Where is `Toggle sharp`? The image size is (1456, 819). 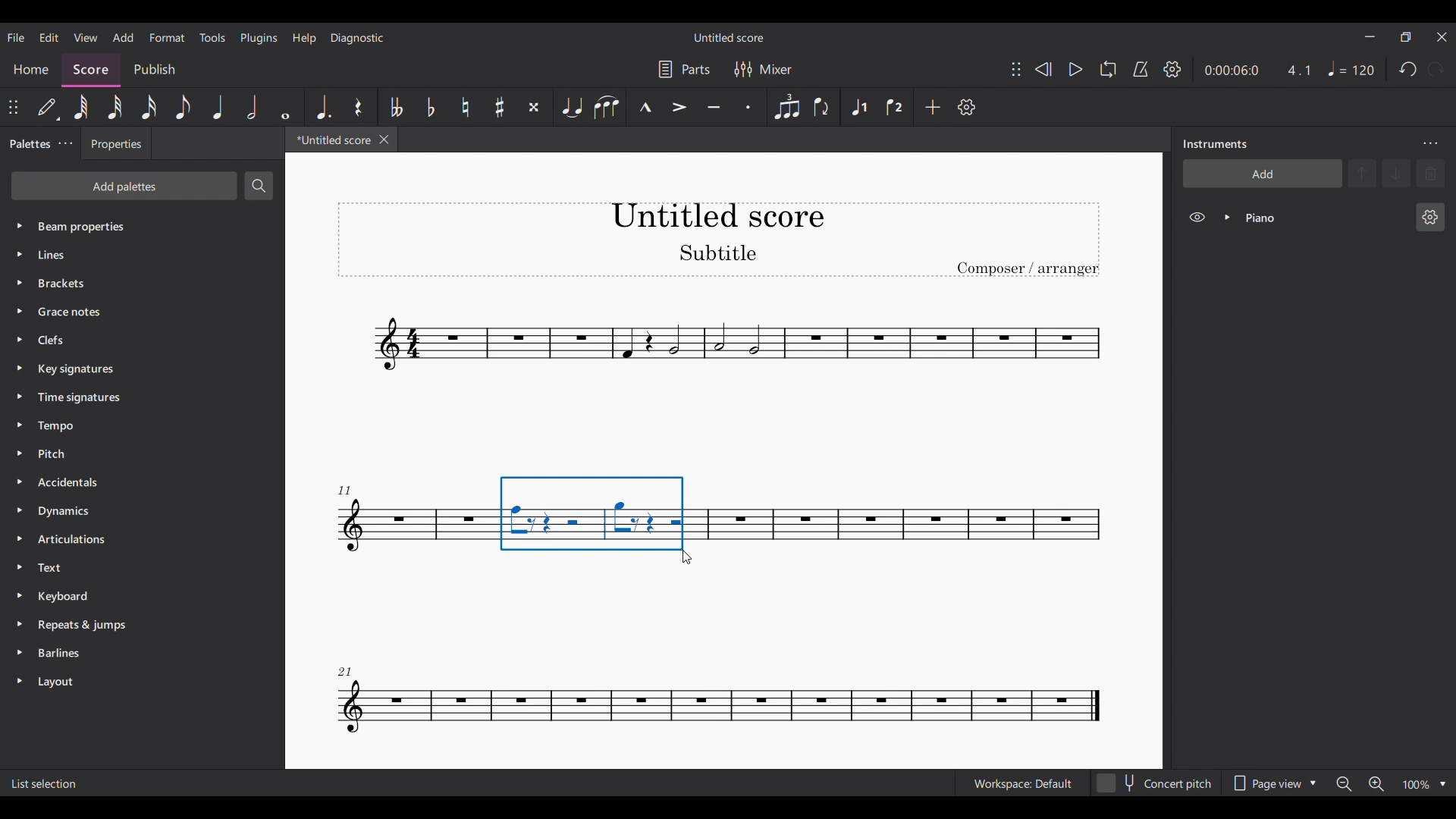 Toggle sharp is located at coordinates (500, 107).